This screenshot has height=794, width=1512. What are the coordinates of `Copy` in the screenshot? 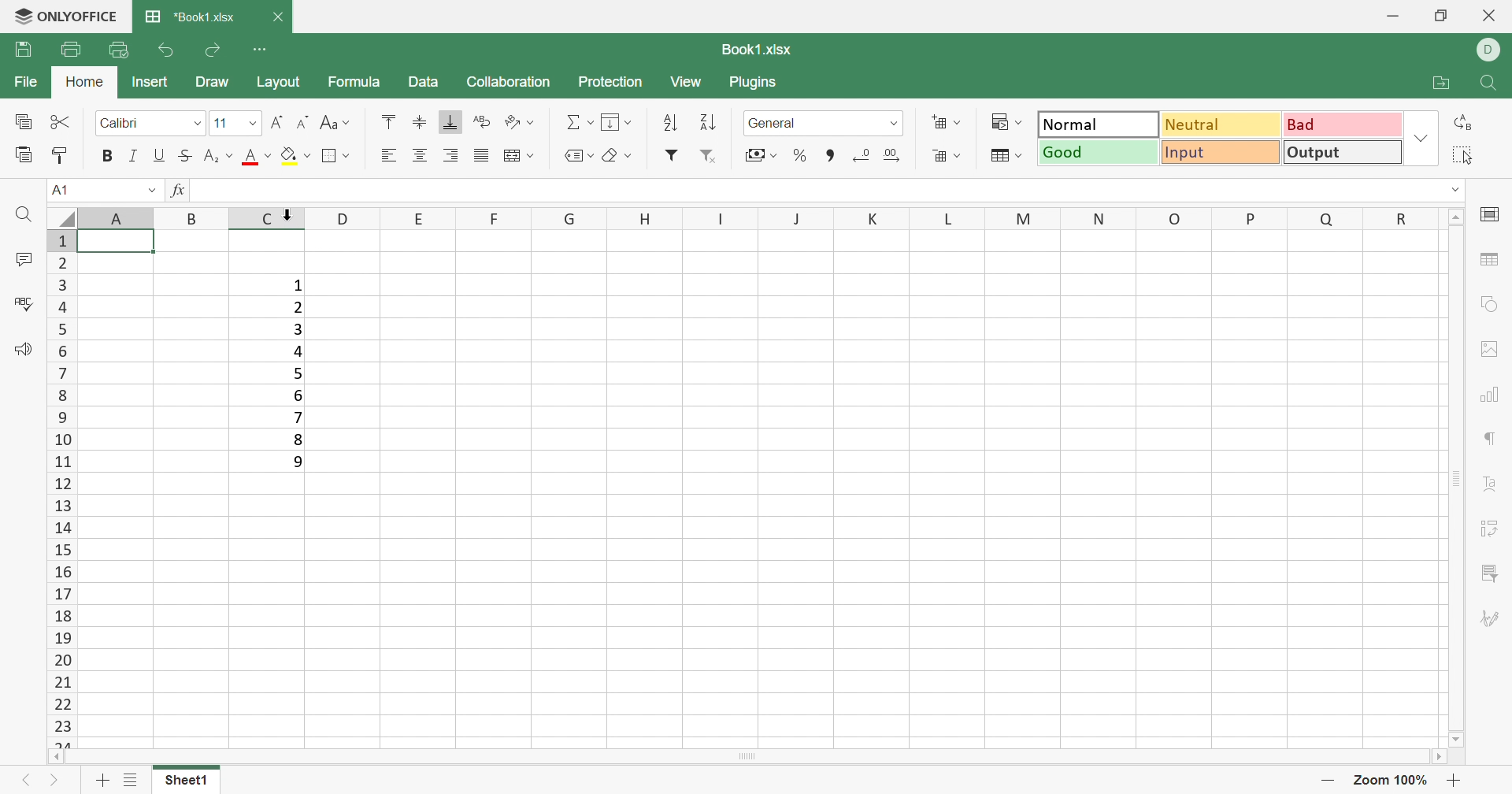 It's located at (22, 122).